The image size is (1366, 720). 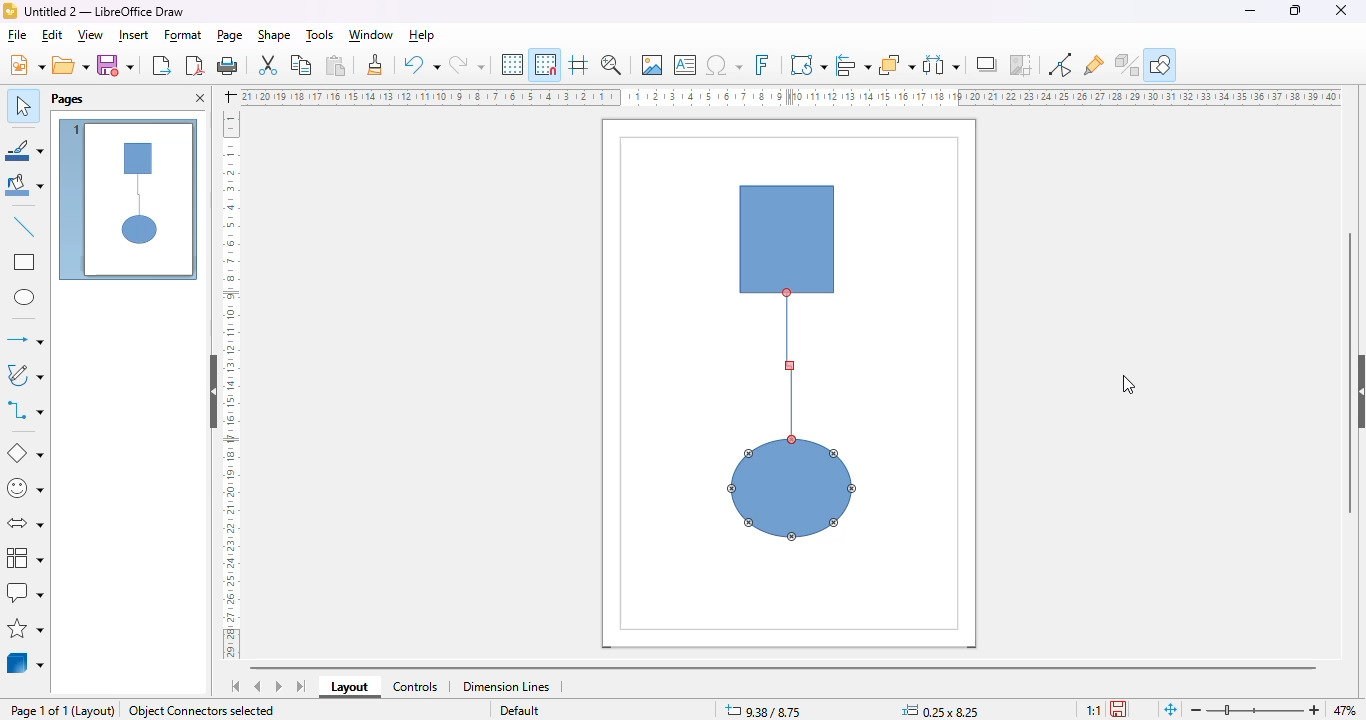 I want to click on 0.25 x 8.25, so click(x=941, y=710).